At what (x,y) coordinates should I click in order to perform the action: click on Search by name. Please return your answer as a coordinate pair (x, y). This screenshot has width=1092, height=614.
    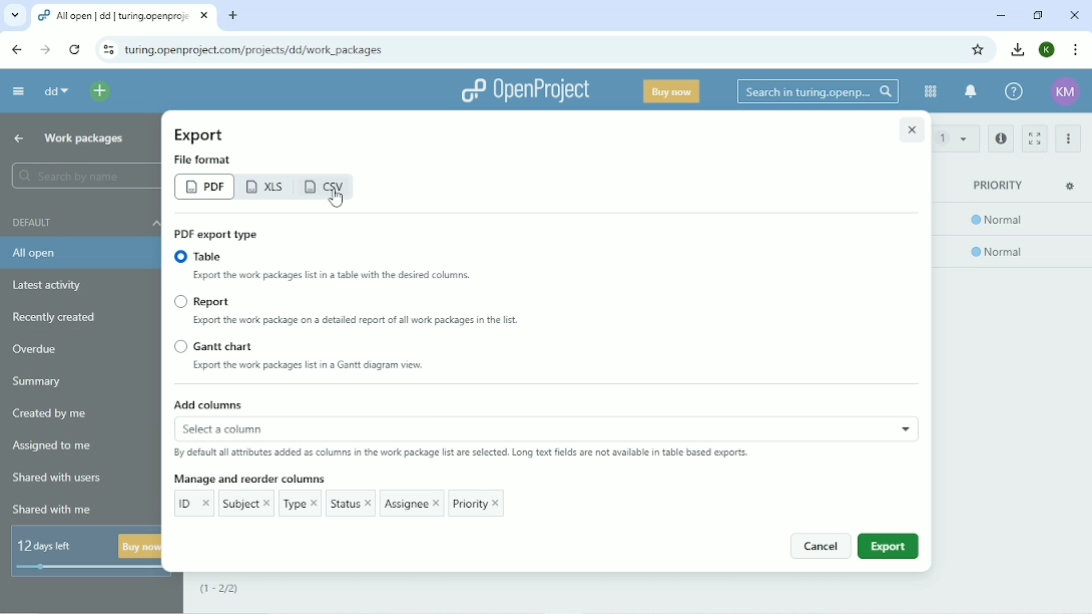
    Looking at the image, I should click on (79, 176).